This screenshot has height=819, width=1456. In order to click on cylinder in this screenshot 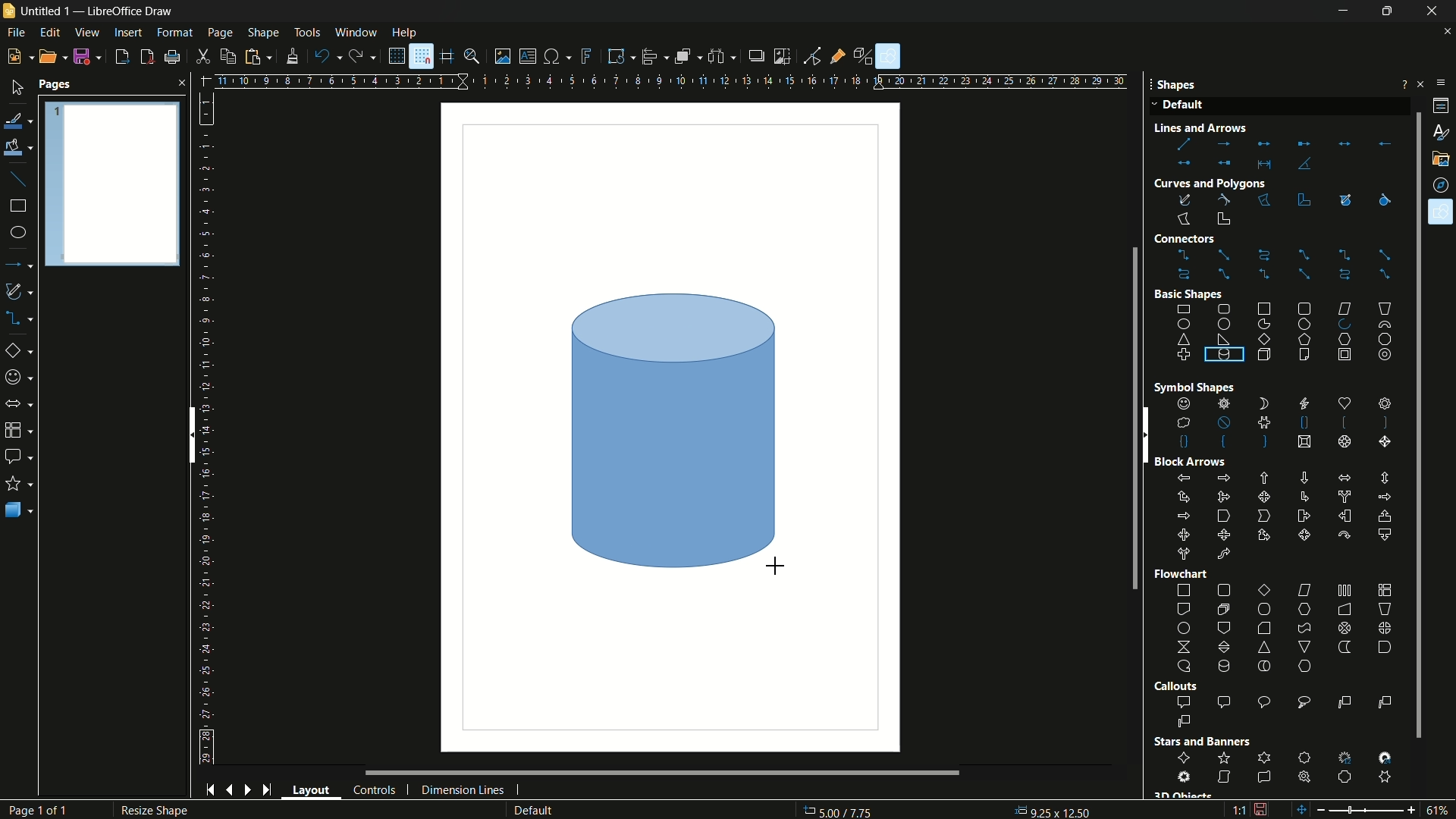, I will do `click(673, 430)`.